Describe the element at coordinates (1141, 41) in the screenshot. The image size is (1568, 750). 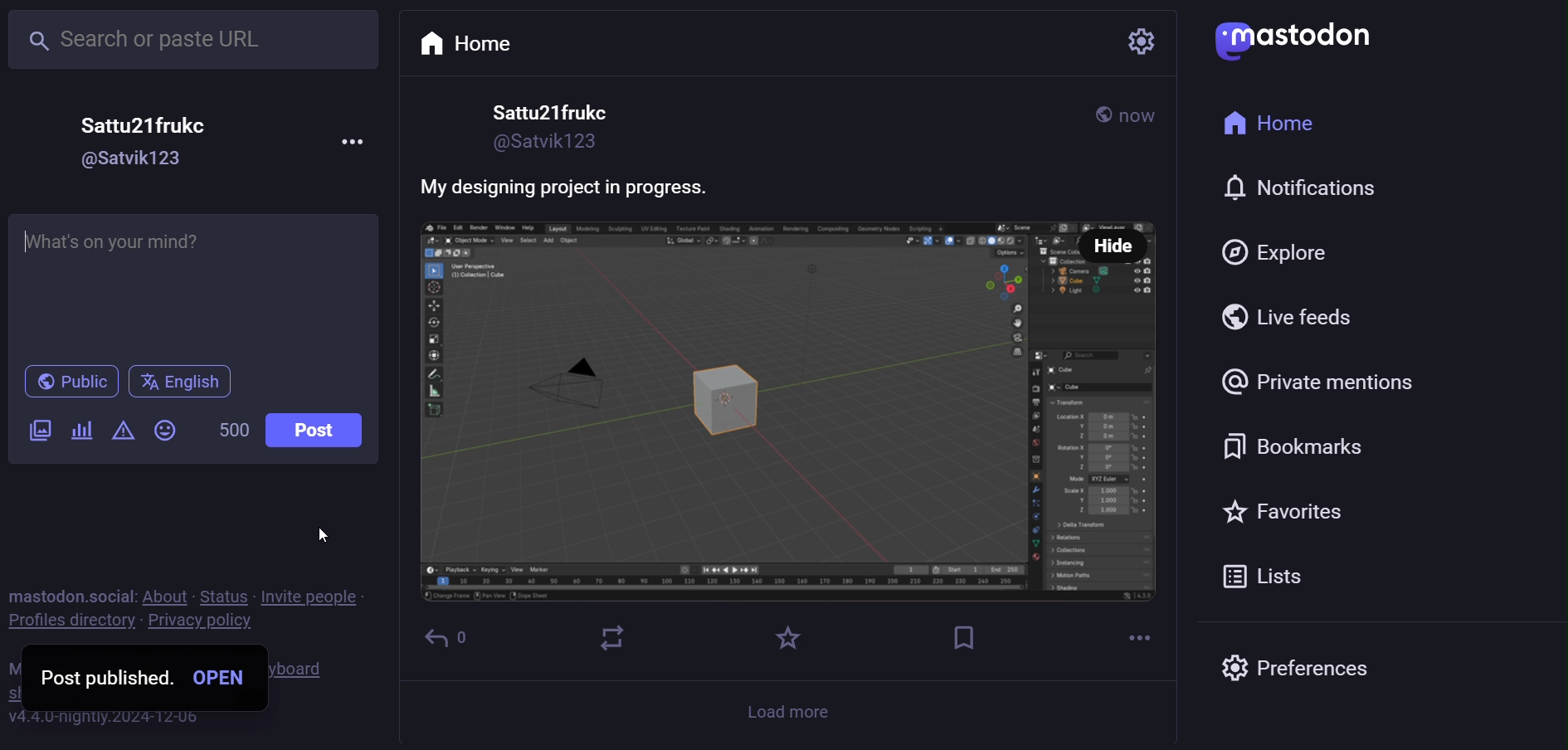
I see `setting` at that location.